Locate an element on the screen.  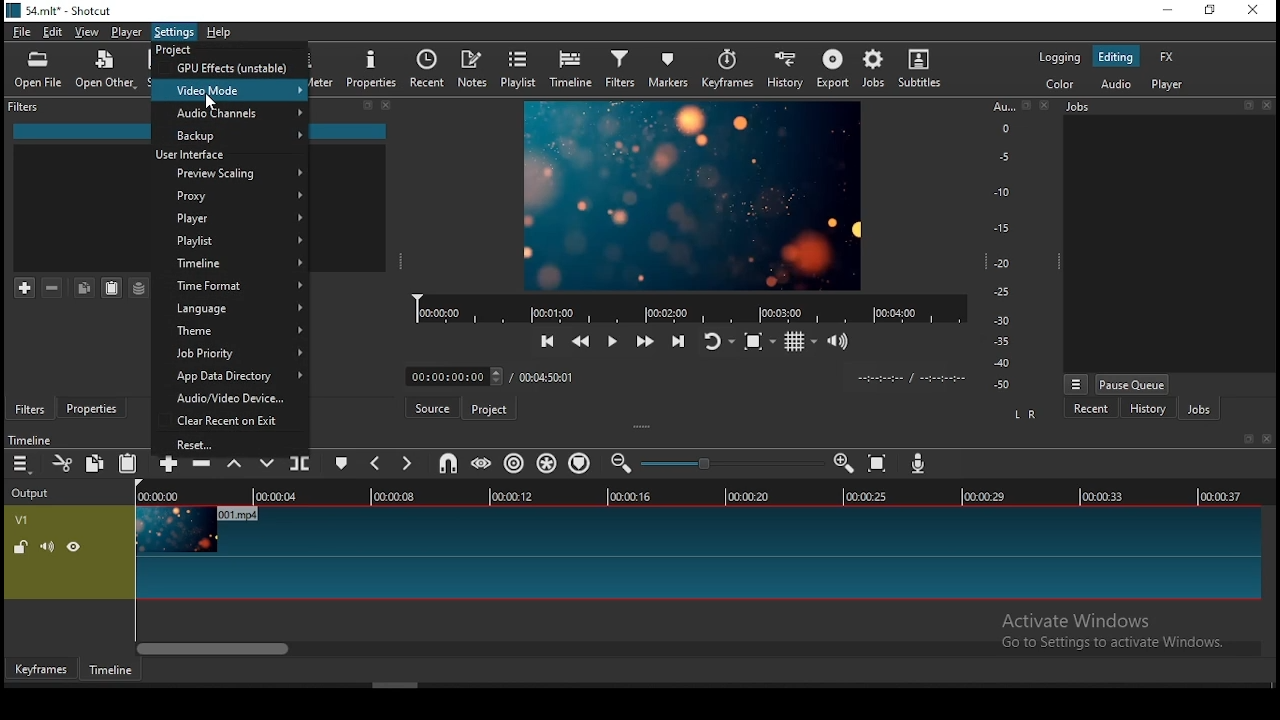
jobs menu is located at coordinates (1077, 386).